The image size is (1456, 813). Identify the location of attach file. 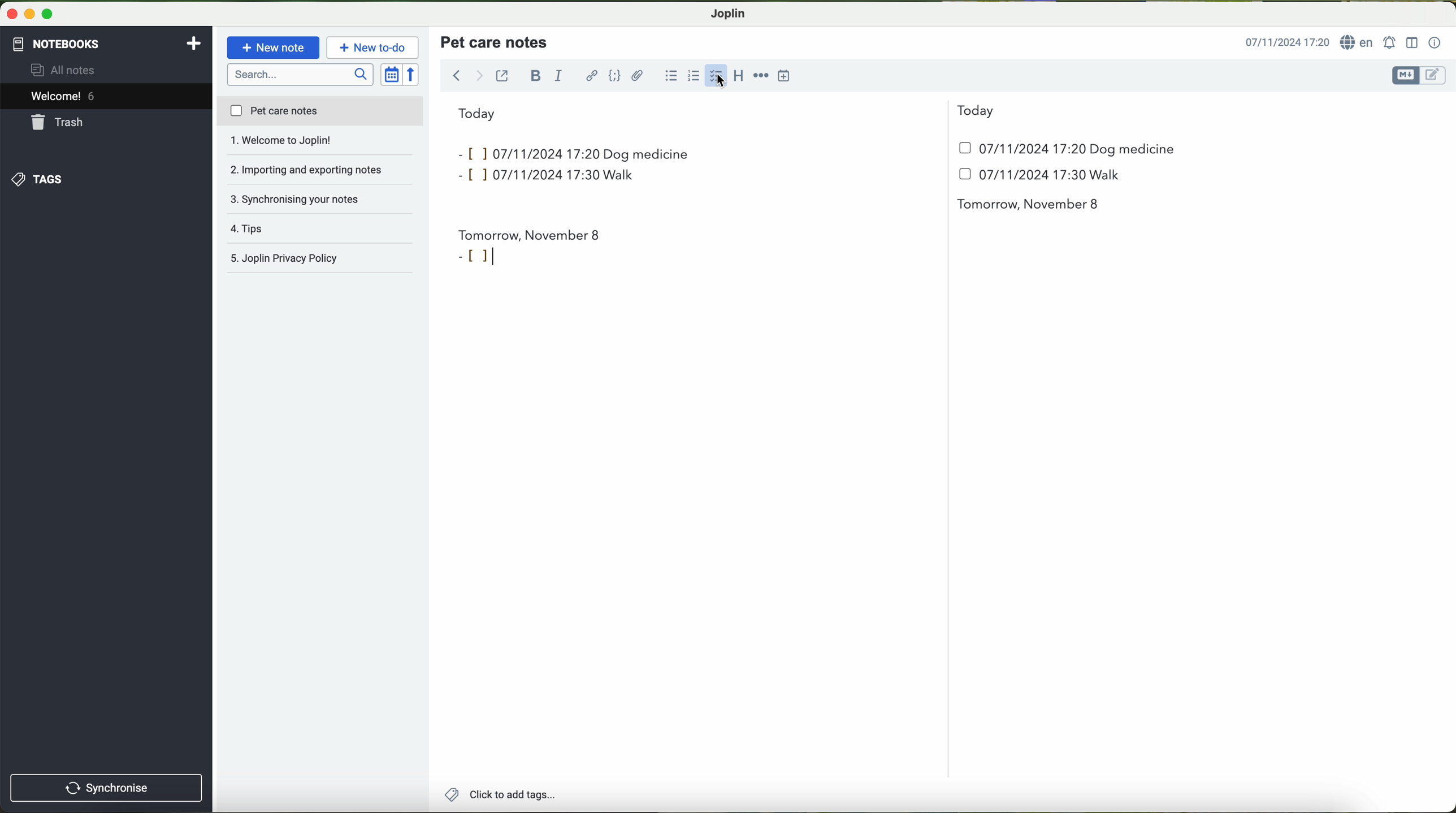
(638, 75).